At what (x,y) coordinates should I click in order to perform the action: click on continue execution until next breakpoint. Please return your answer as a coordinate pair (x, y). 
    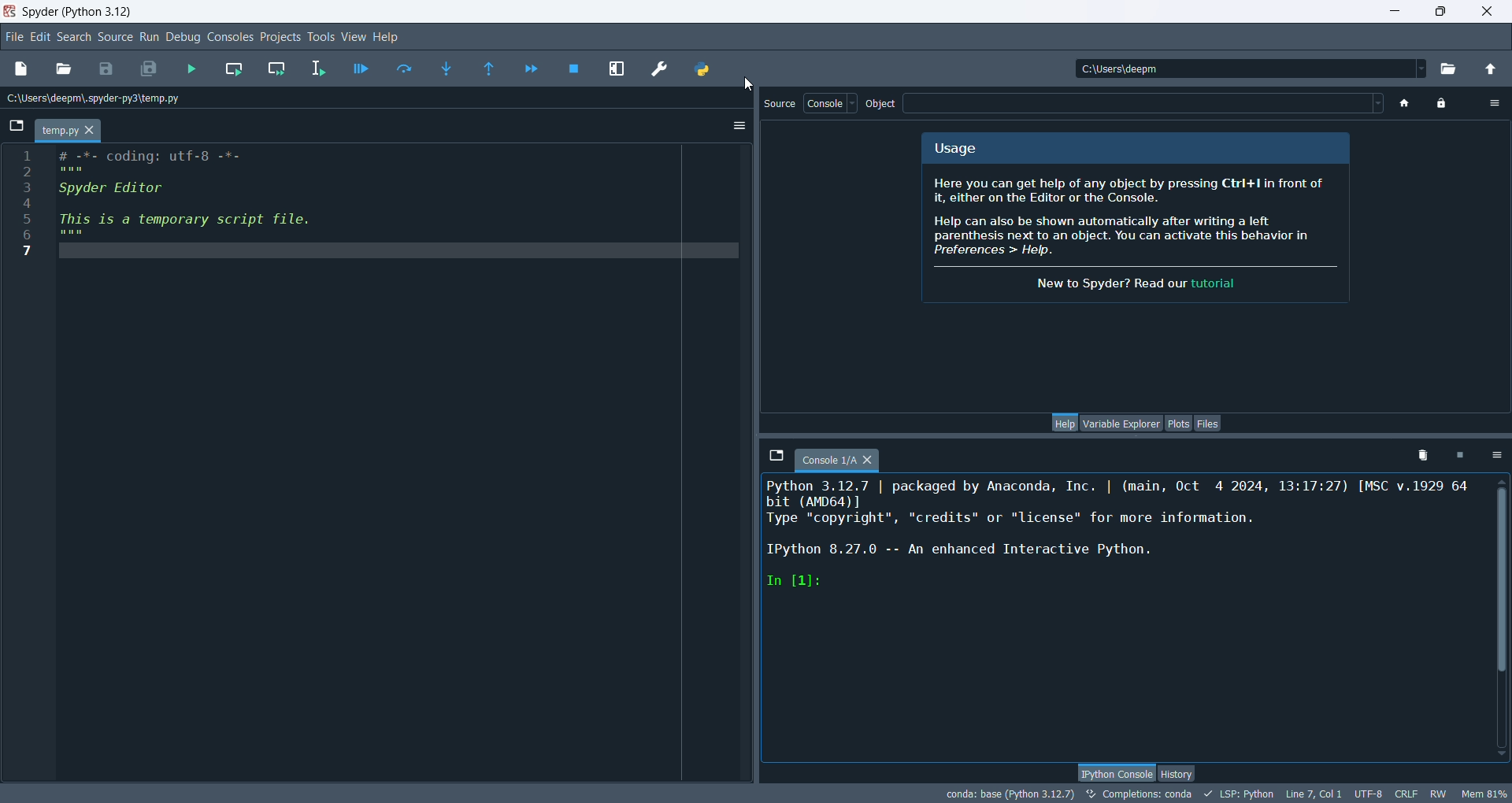
    Looking at the image, I should click on (532, 70).